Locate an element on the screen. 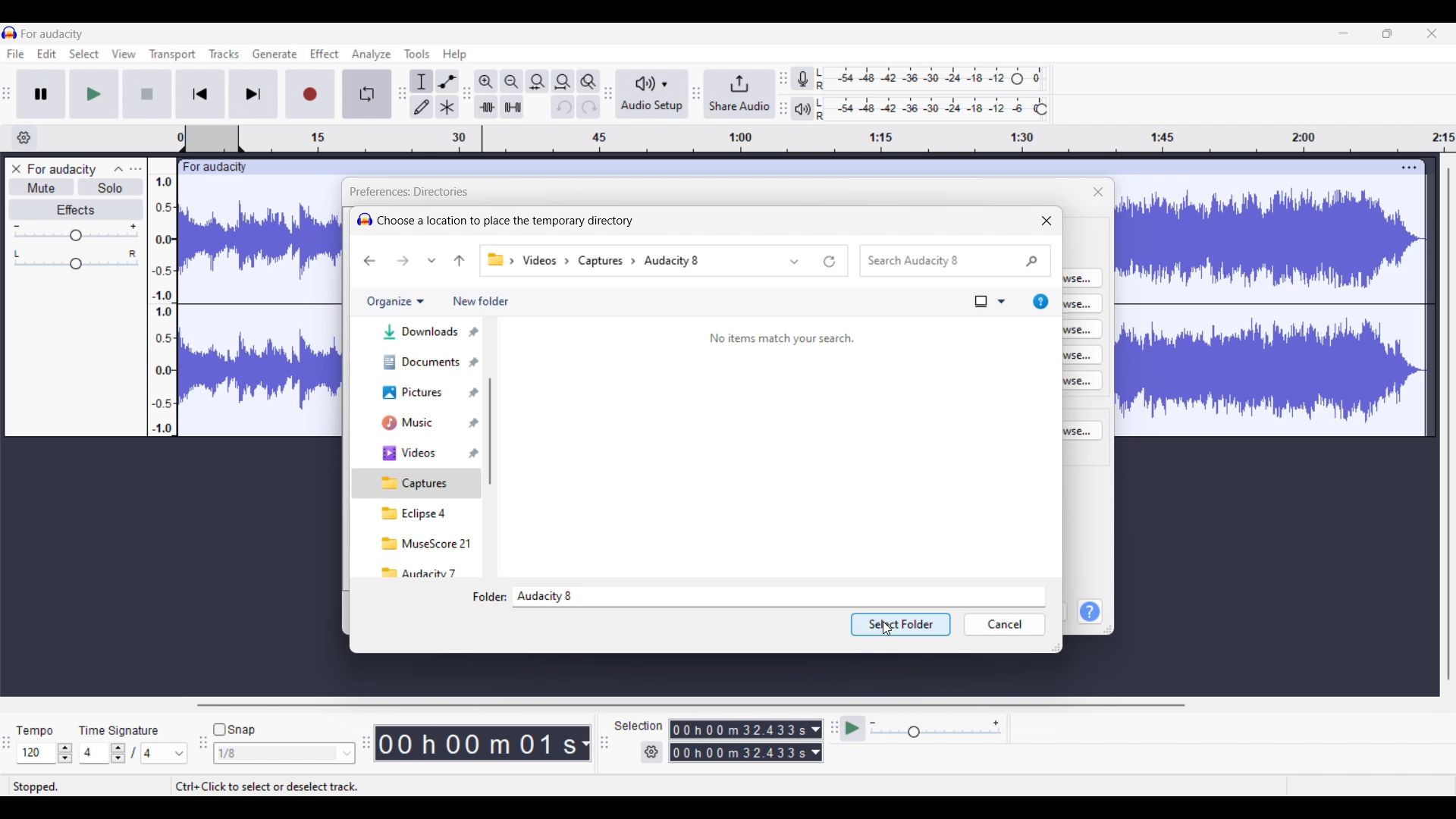  Open menu is located at coordinates (136, 169).